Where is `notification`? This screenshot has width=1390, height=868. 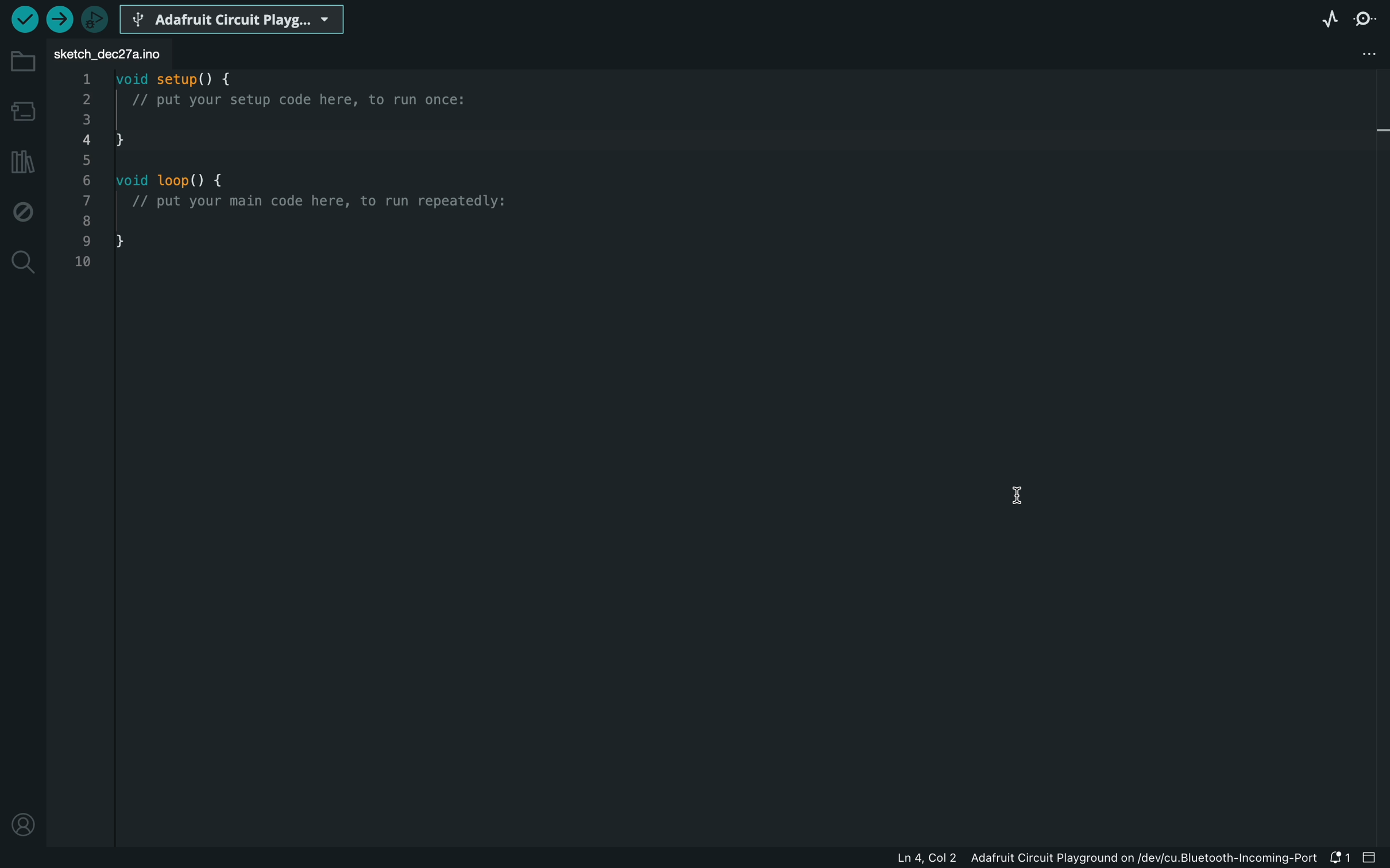
notification is located at coordinates (1338, 857).